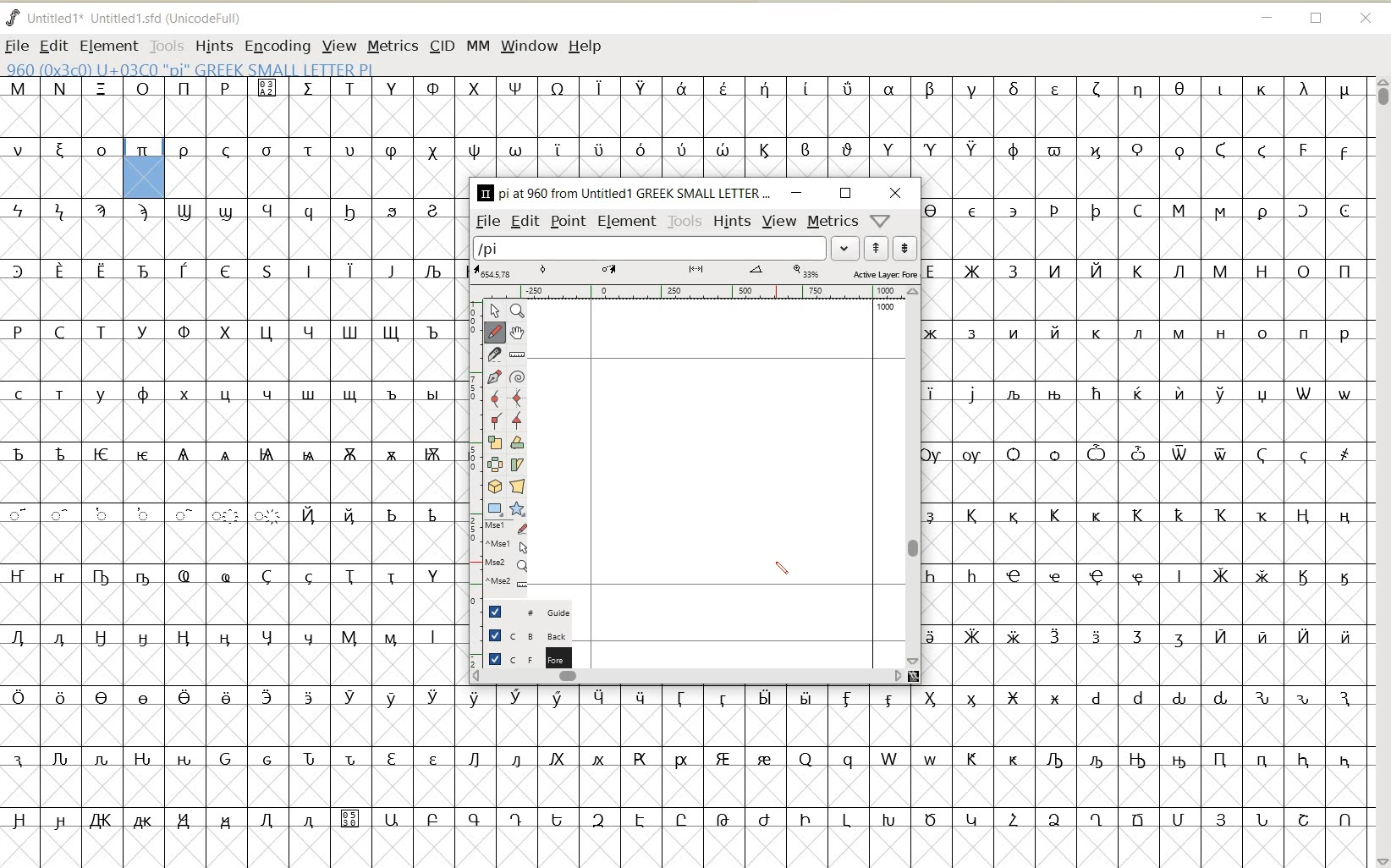 Image resolution: width=1391 pixels, height=868 pixels. I want to click on load word list, so click(666, 247).